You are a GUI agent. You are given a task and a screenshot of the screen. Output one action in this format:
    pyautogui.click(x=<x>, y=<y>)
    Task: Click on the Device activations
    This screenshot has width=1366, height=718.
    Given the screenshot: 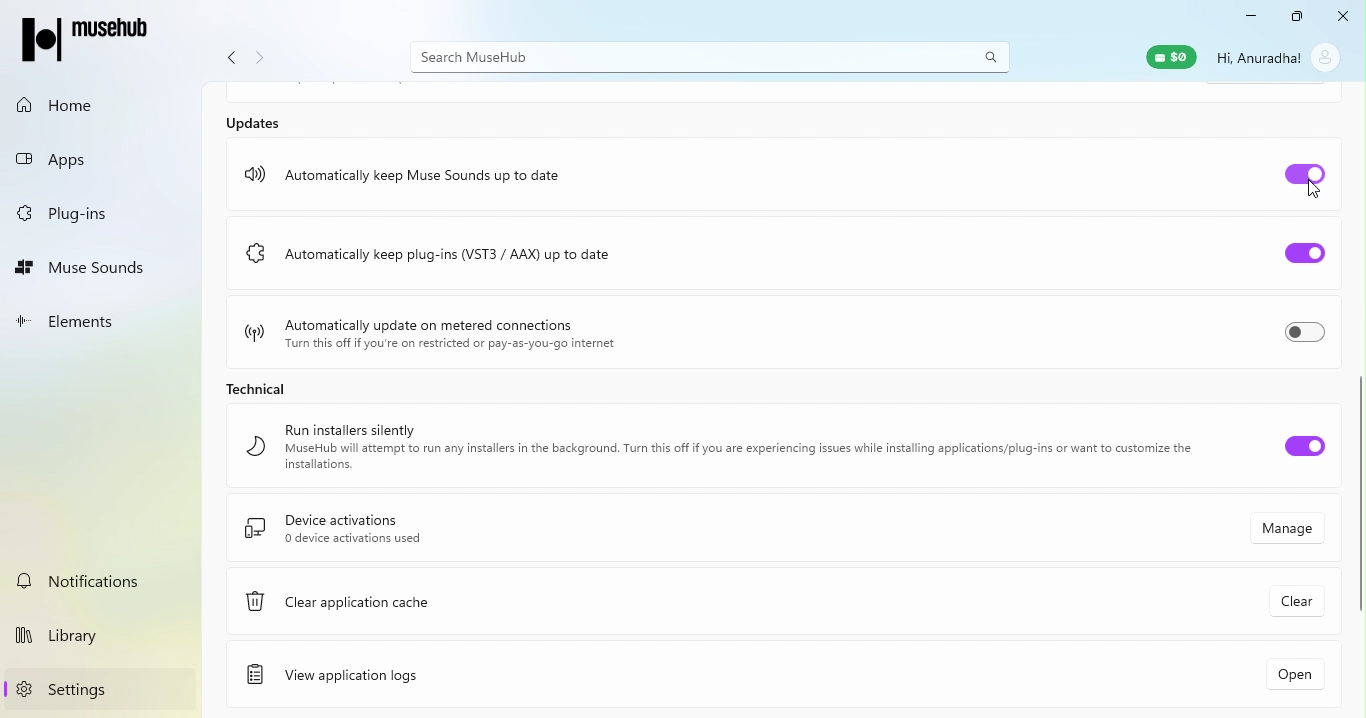 What is the action you would take?
    pyautogui.click(x=646, y=532)
    